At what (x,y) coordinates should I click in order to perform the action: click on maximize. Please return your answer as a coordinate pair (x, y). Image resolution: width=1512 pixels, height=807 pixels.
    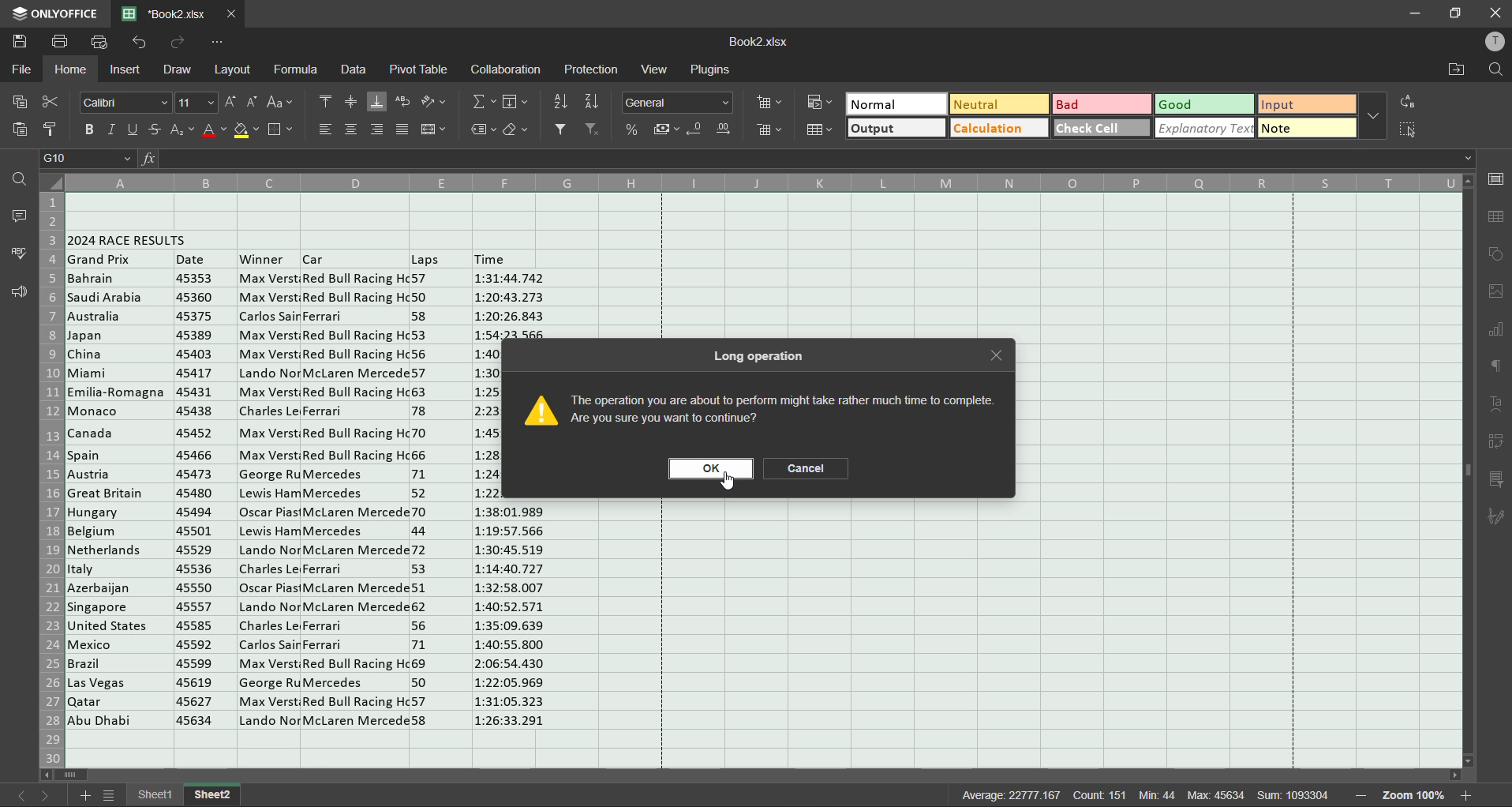
    Looking at the image, I should click on (1458, 12).